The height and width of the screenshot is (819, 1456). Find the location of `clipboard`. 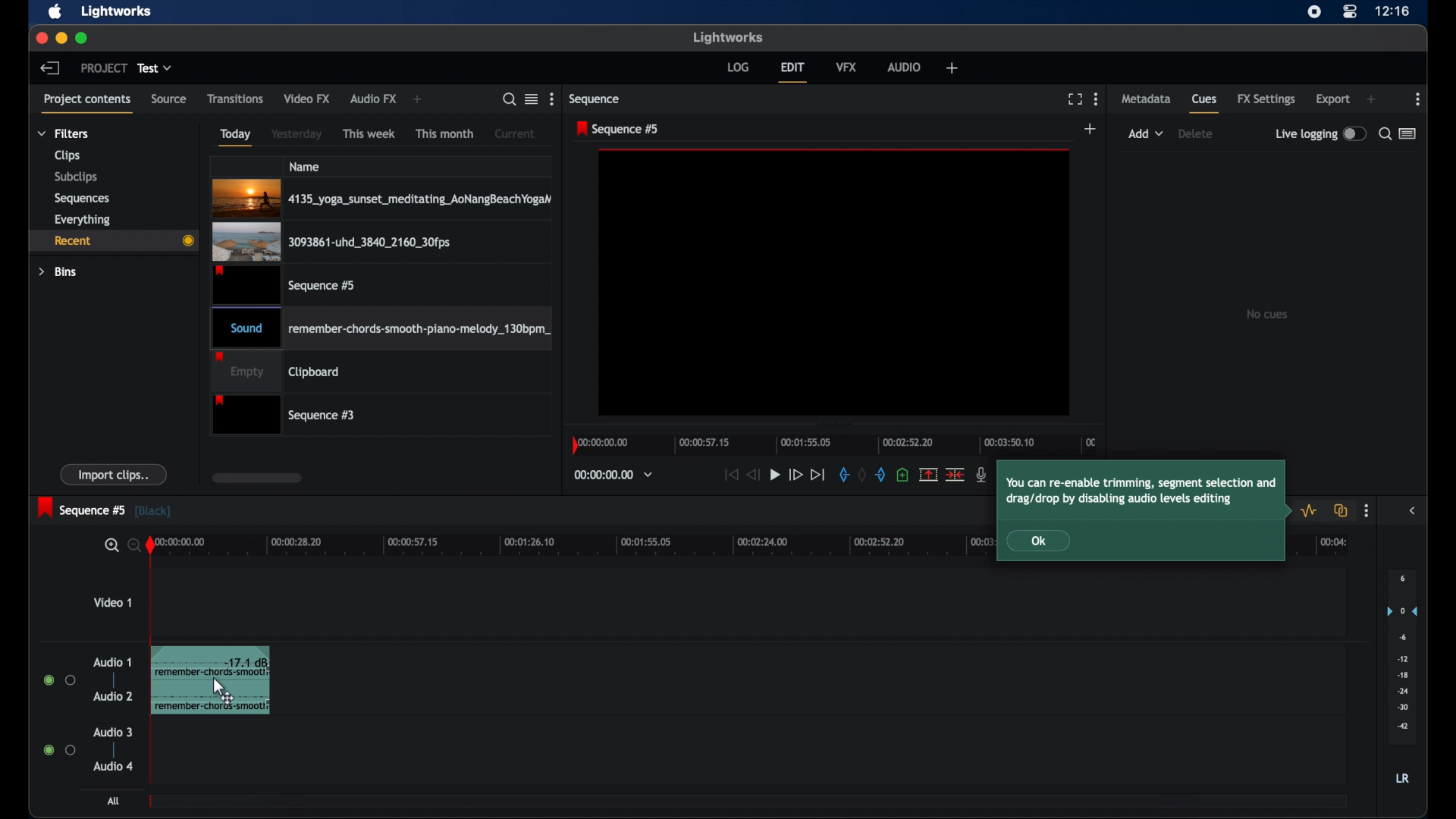

clipboard is located at coordinates (276, 372).